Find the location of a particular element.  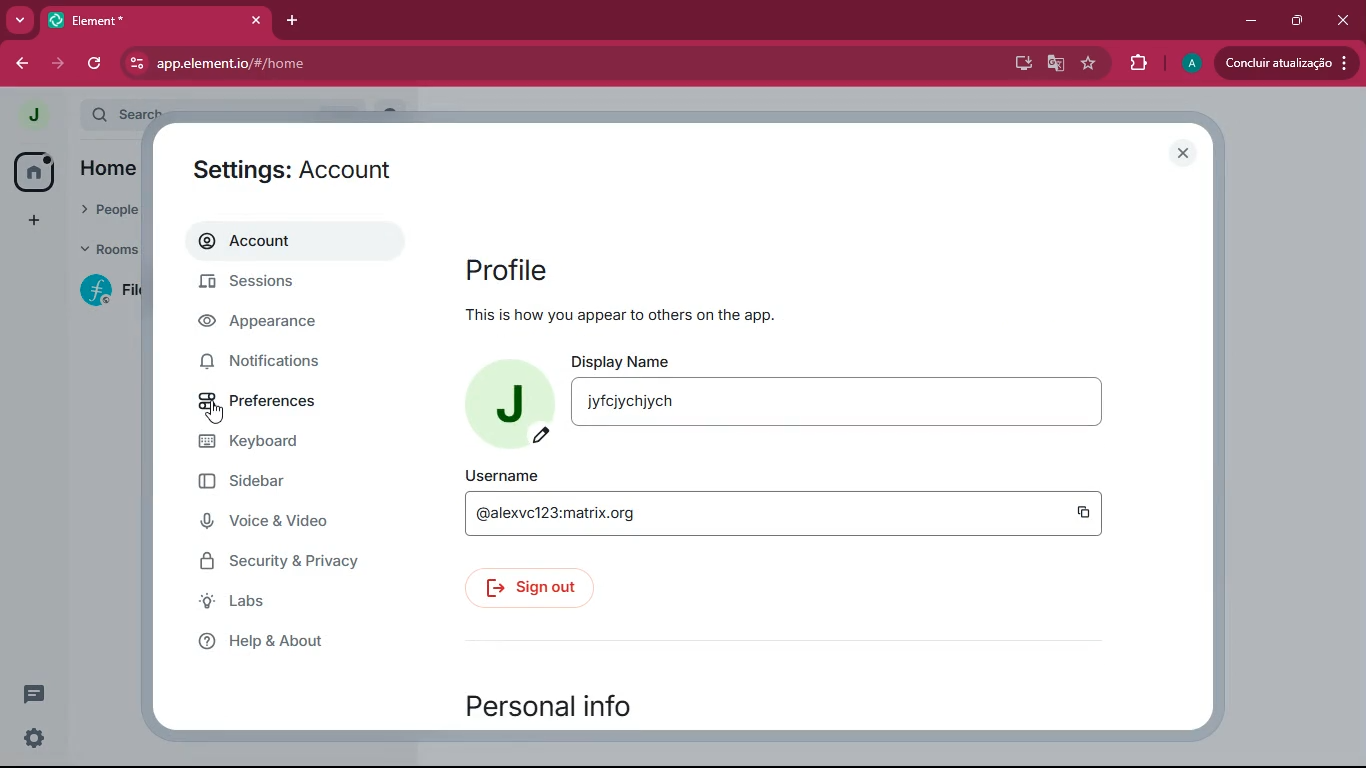

more is located at coordinates (20, 21).